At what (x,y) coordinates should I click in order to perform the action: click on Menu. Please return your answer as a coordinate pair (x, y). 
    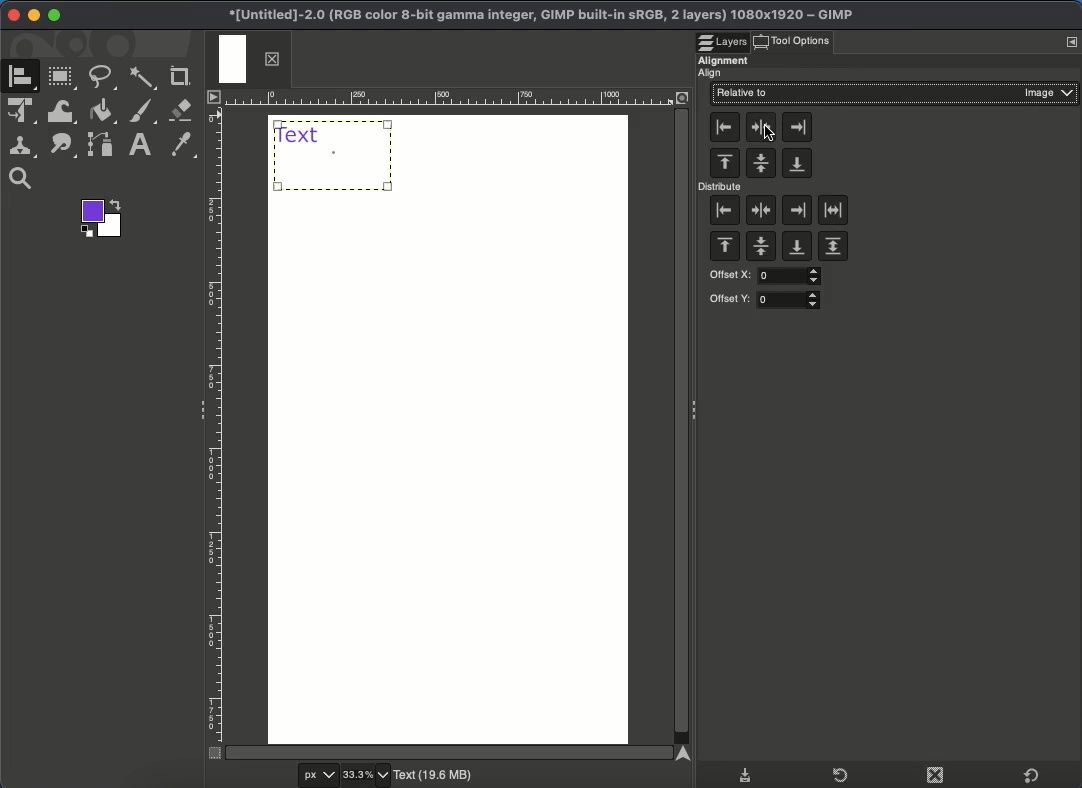
    Looking at the image, I should click on (212, 96).